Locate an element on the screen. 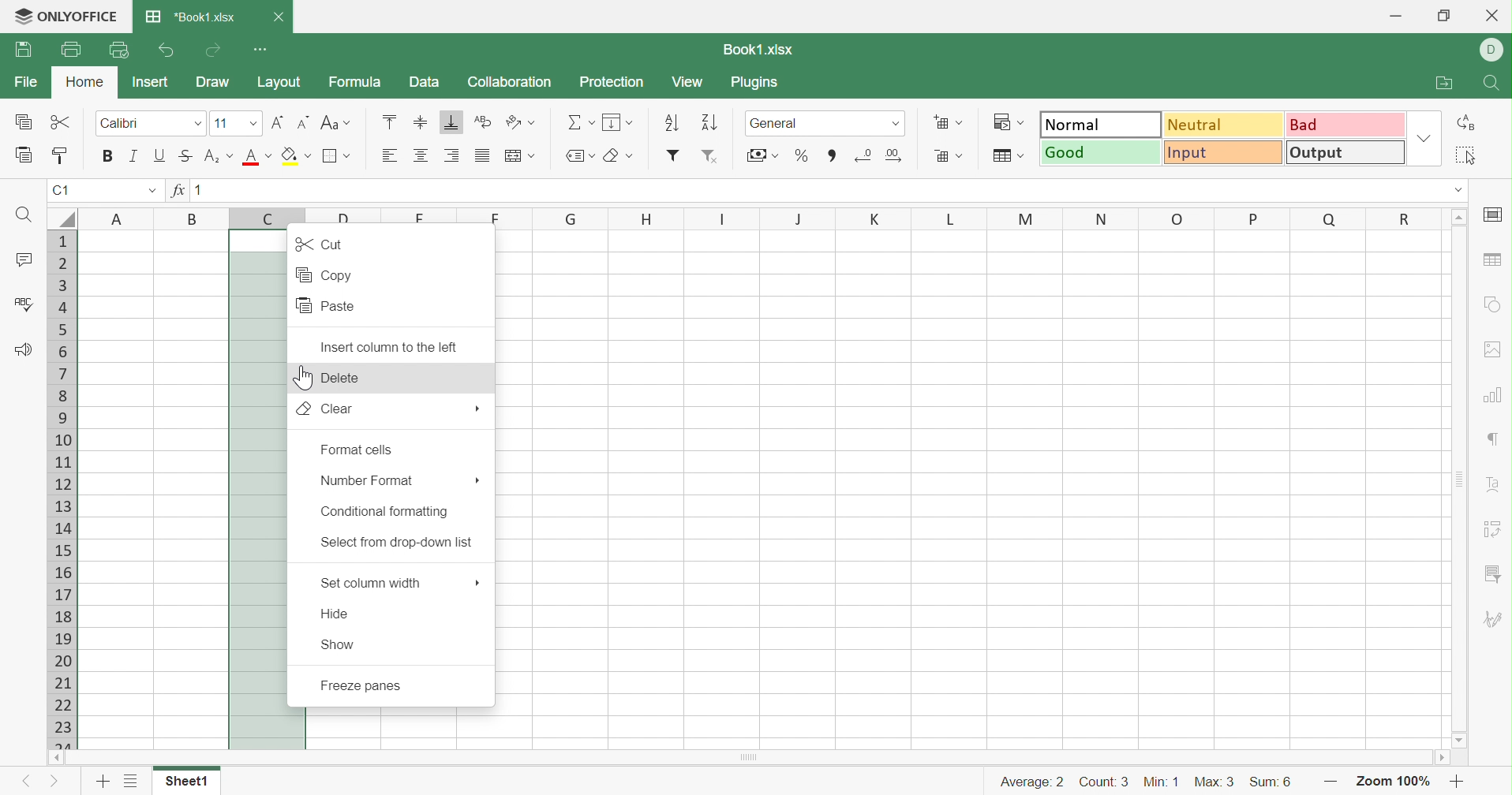 The height and width of the screenshot is (795, 1512). Delete cells is located at coordinates (941, 155).